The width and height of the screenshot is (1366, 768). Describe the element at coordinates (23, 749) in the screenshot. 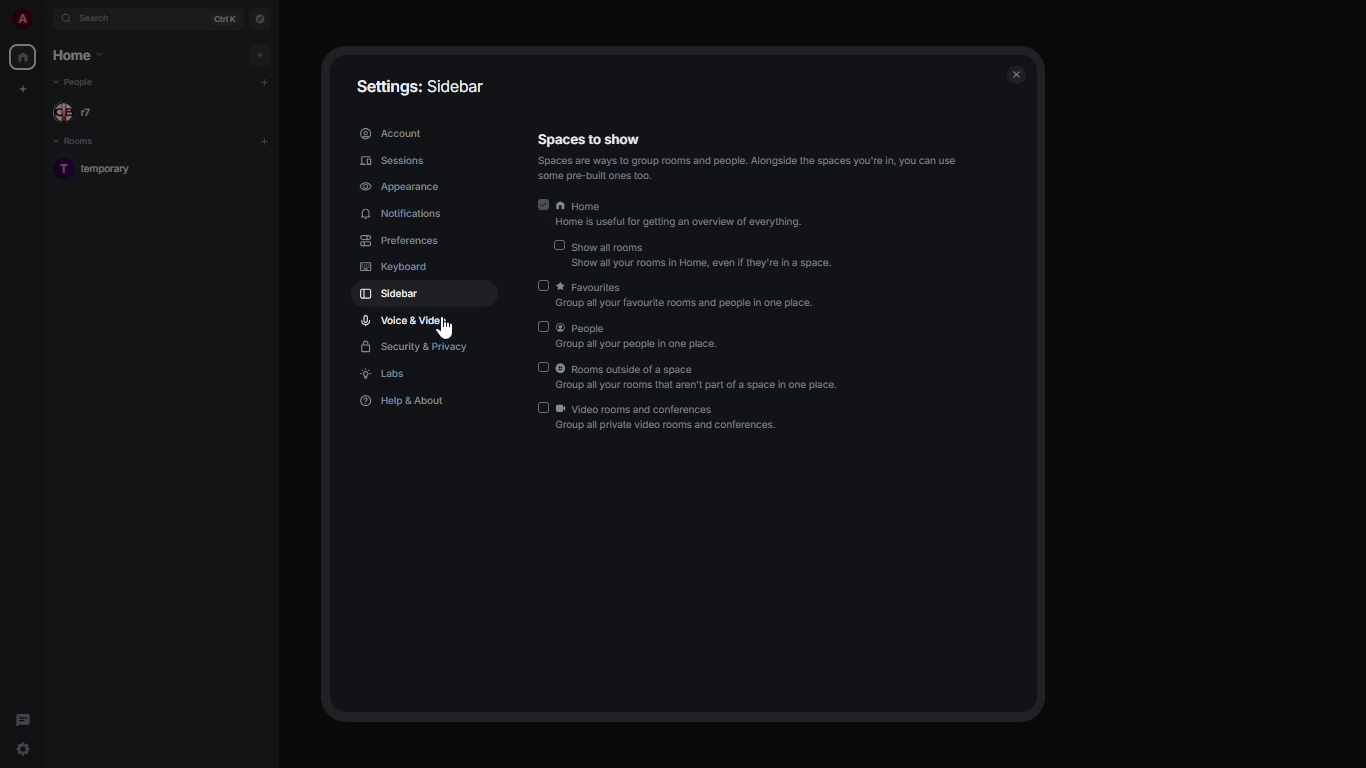

I see `quick settings` at that location.